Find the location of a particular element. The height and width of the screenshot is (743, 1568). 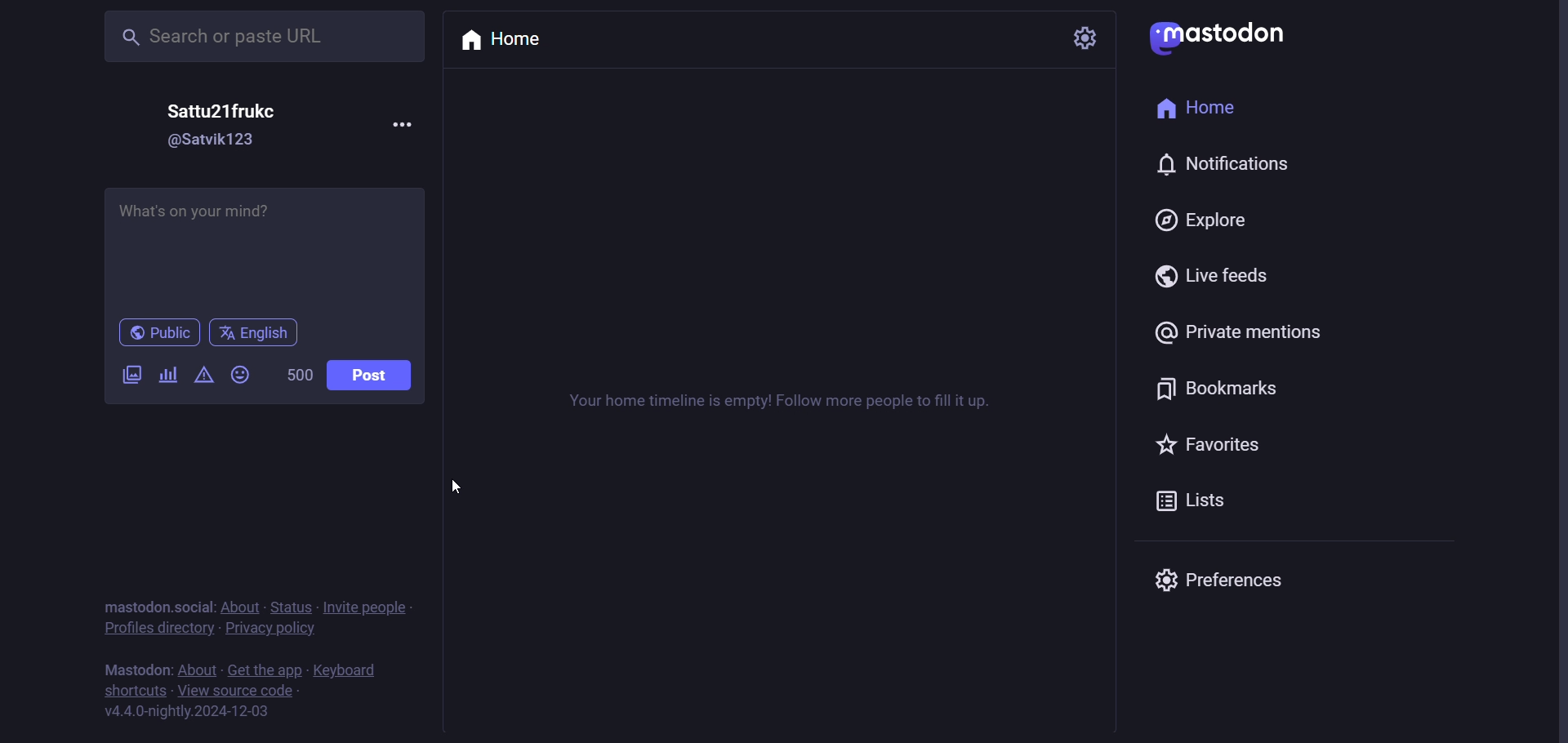

private mentions is located at coordinates (1234, 332).